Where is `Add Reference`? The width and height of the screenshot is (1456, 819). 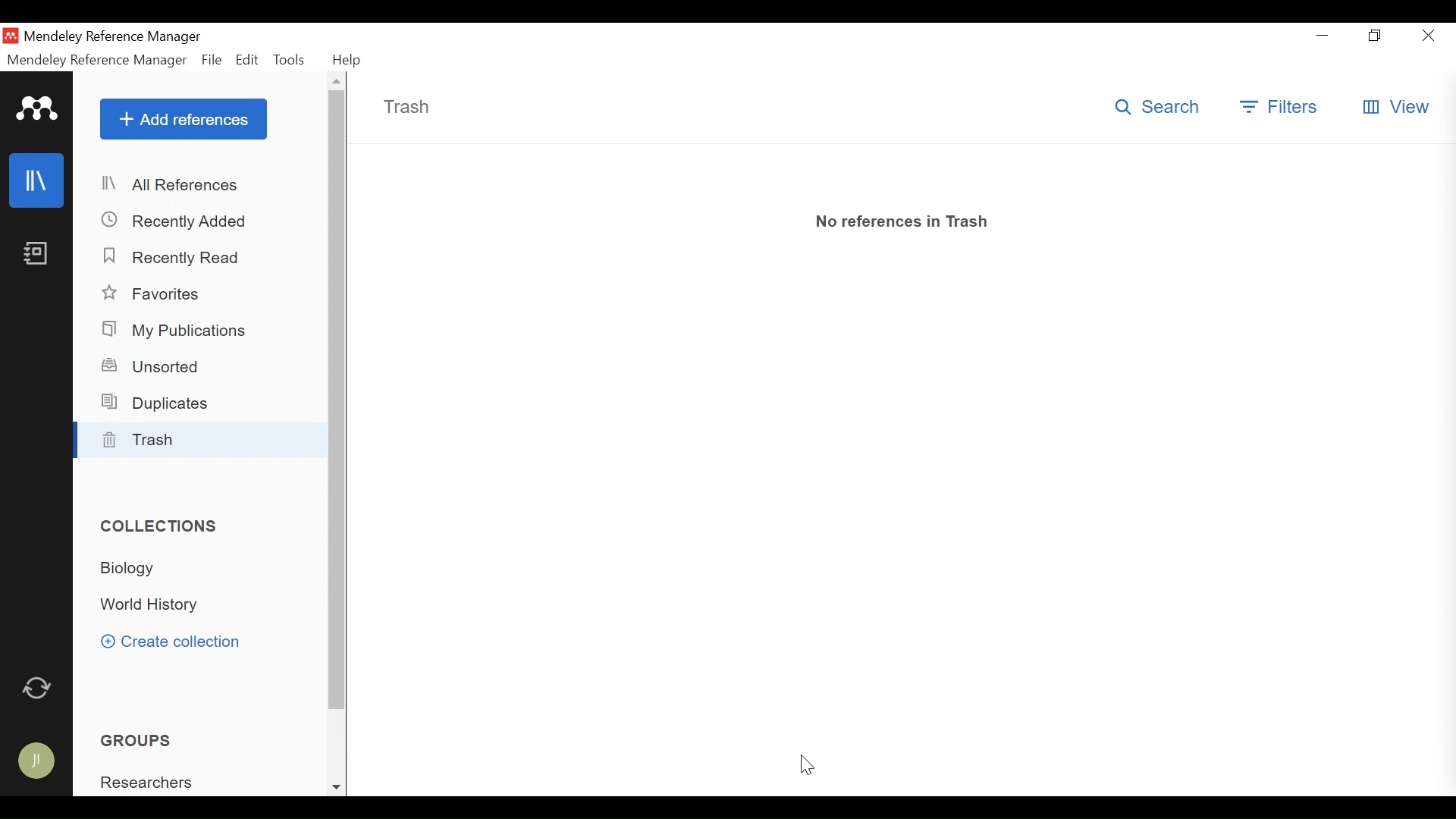 Add Reference is located at coordinates (183, 120).